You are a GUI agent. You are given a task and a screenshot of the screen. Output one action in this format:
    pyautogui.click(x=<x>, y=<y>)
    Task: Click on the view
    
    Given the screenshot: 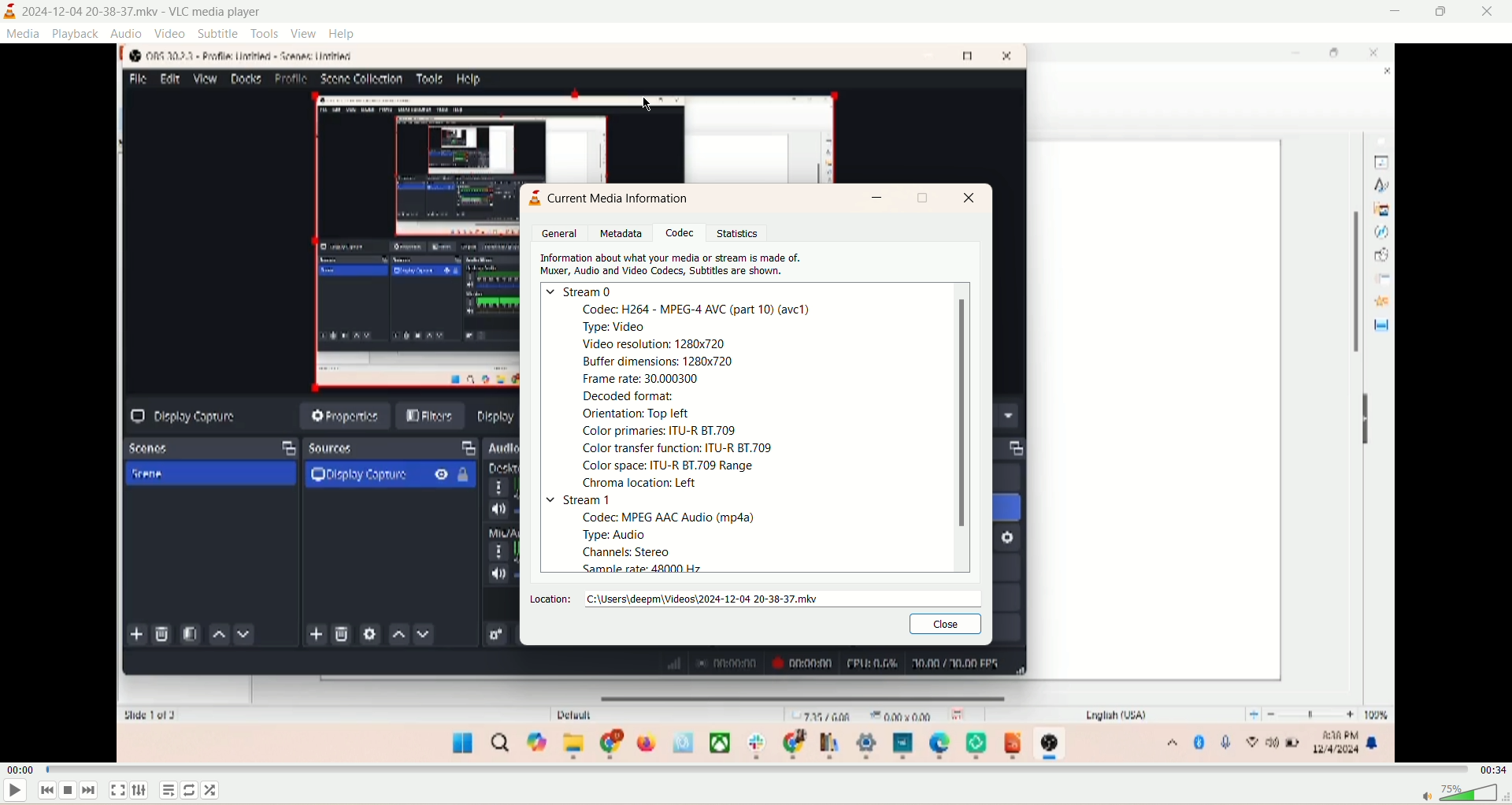 What is the action you would take?
    pyautogui.click(x=303, y=34)
    